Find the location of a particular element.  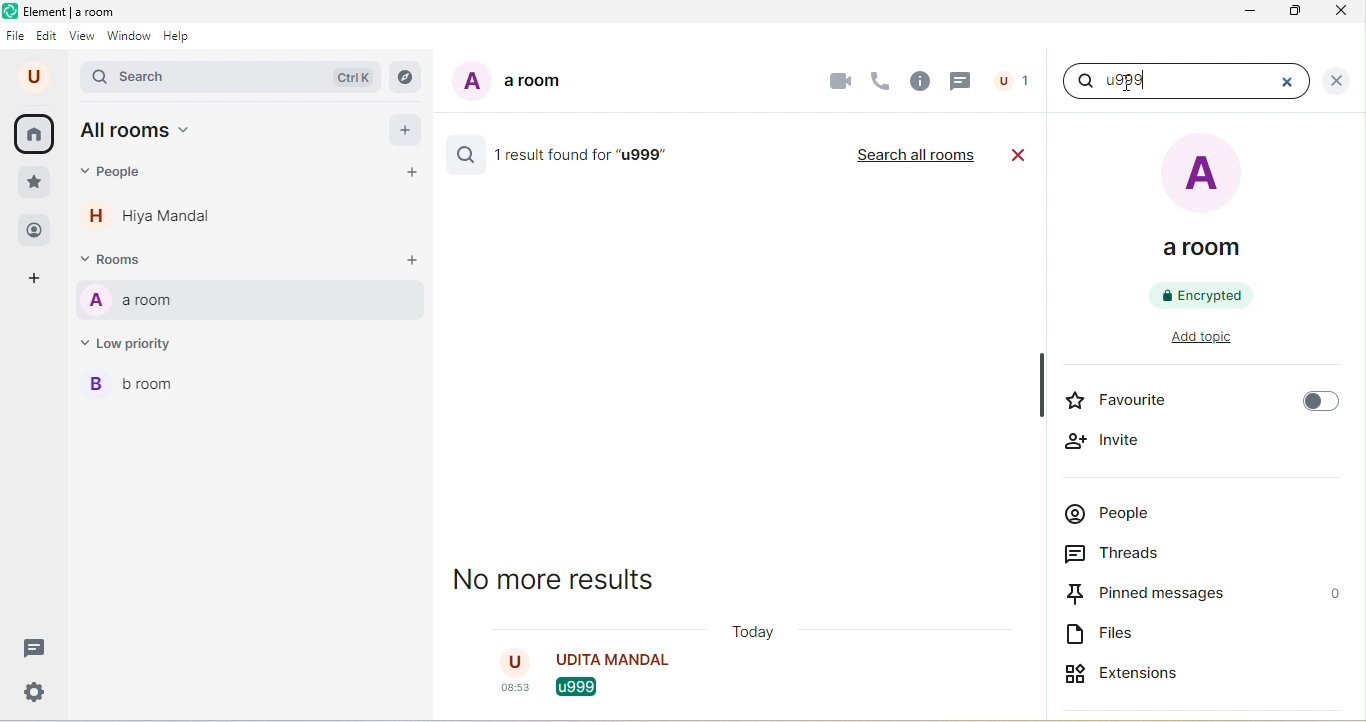

video call is located at coordinates (839, 79).